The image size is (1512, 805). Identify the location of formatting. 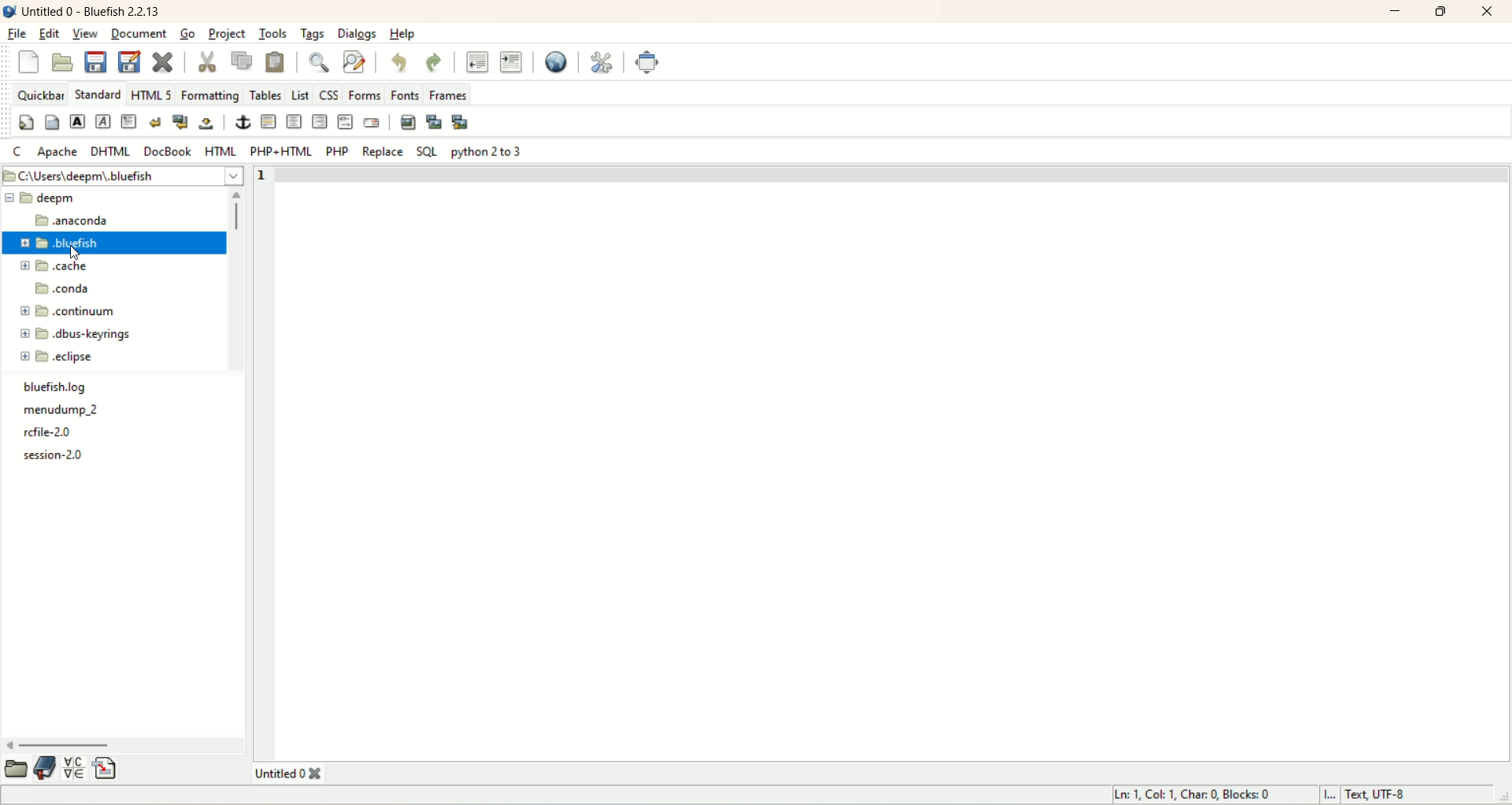
(211, 96).